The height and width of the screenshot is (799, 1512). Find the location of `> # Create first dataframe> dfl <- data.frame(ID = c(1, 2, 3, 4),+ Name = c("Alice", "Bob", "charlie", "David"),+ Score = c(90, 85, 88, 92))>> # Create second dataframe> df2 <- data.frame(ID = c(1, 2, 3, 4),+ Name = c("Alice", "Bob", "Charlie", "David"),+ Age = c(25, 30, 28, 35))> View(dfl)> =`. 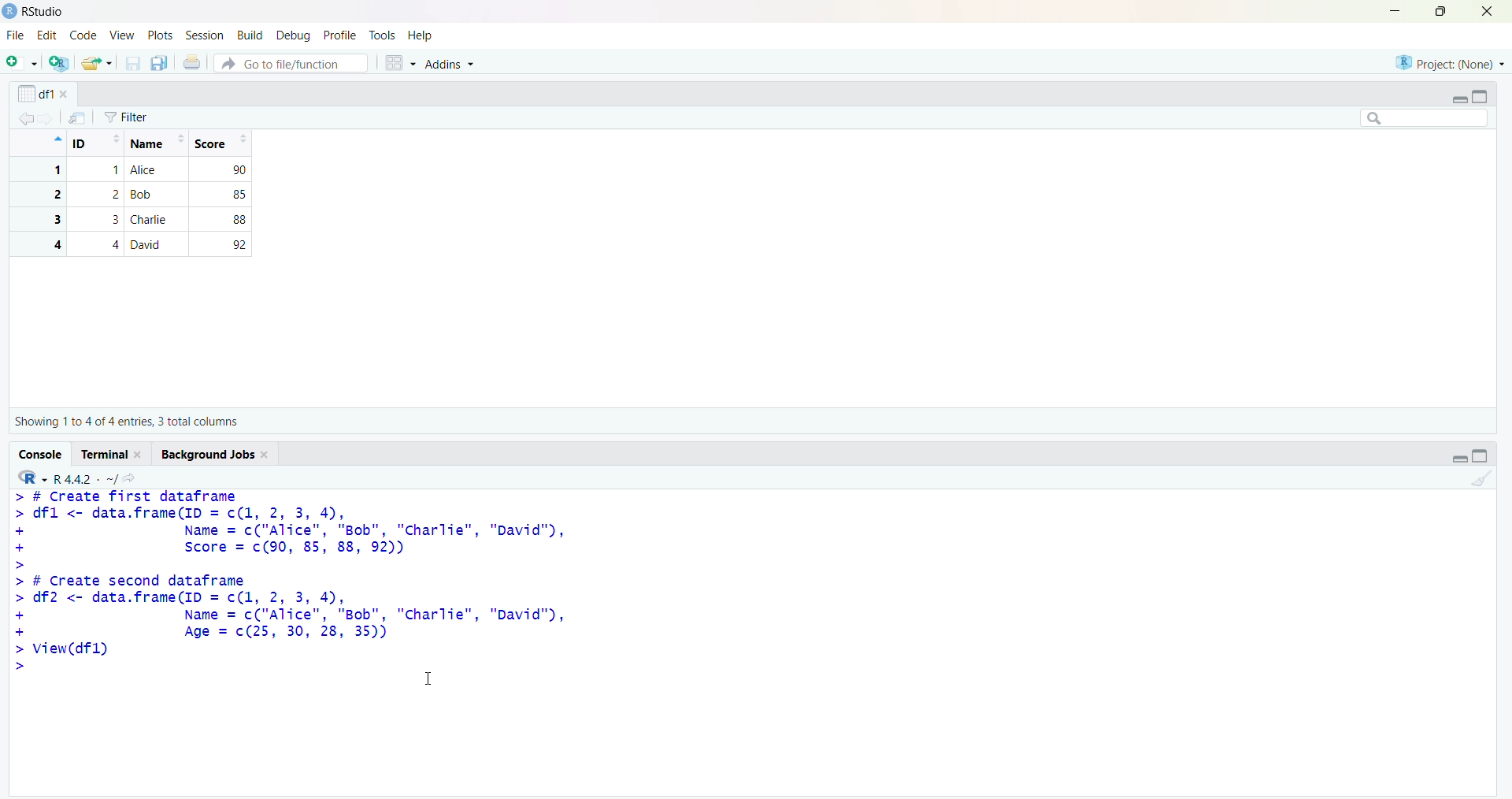

> # Create first dataframe> dfl <- data.frame(ID = c(1, 2, 3, 4),+ Name = c("Alice", "Bob", "charlie", "David"),+ Score = c(90, 85, 88, 92))>> # Create second dataframe> df2 <- data.frame(ID = c(1, 2, 3, 4),+ Name = c("Alice", "Bob", "Charlie", "David"),+ Age = c(25, 30, 28, 35))> View(dfl)> = is located at coordinates (291, 582).